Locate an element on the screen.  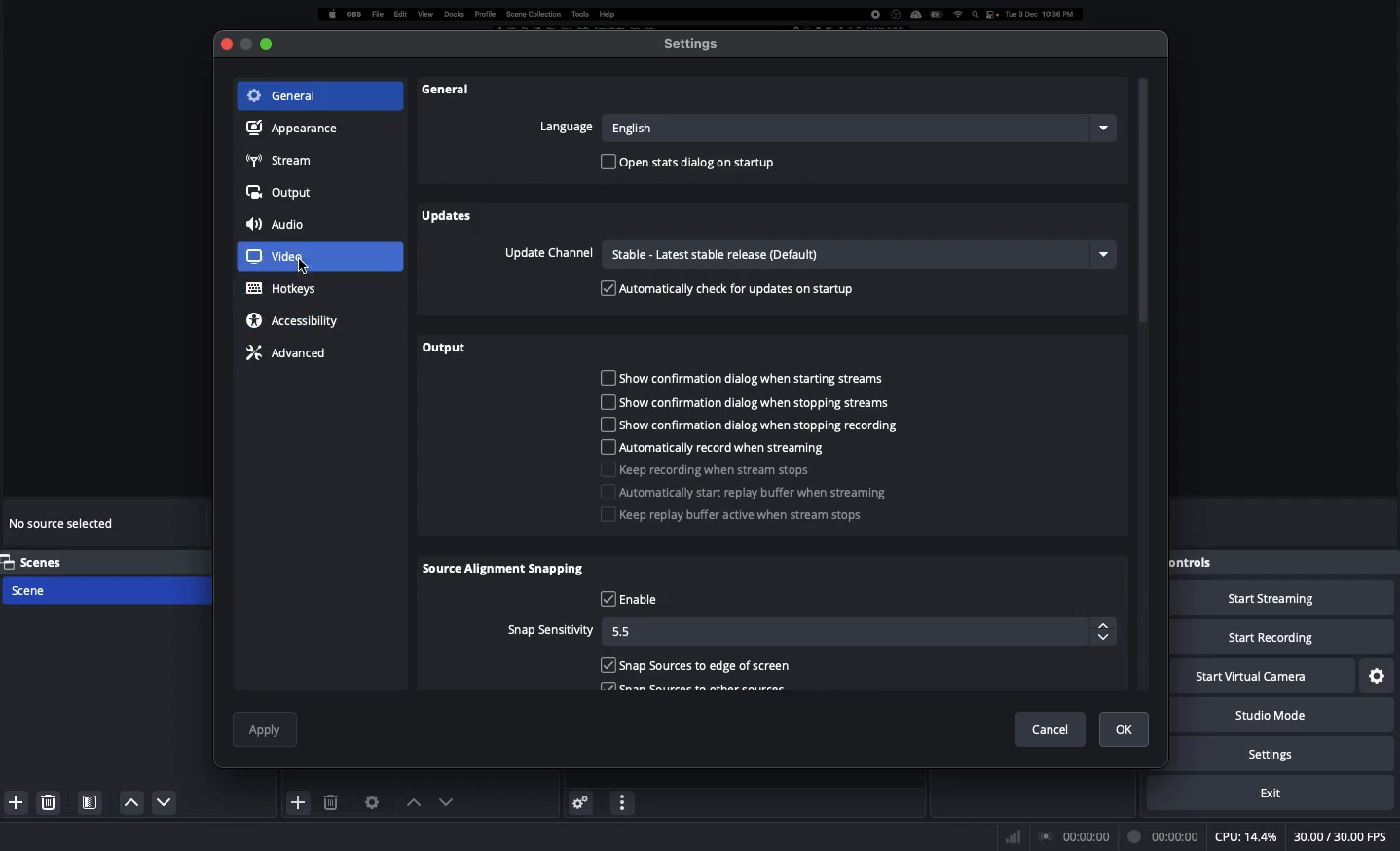
Move up is located at coordinates (410, 802).